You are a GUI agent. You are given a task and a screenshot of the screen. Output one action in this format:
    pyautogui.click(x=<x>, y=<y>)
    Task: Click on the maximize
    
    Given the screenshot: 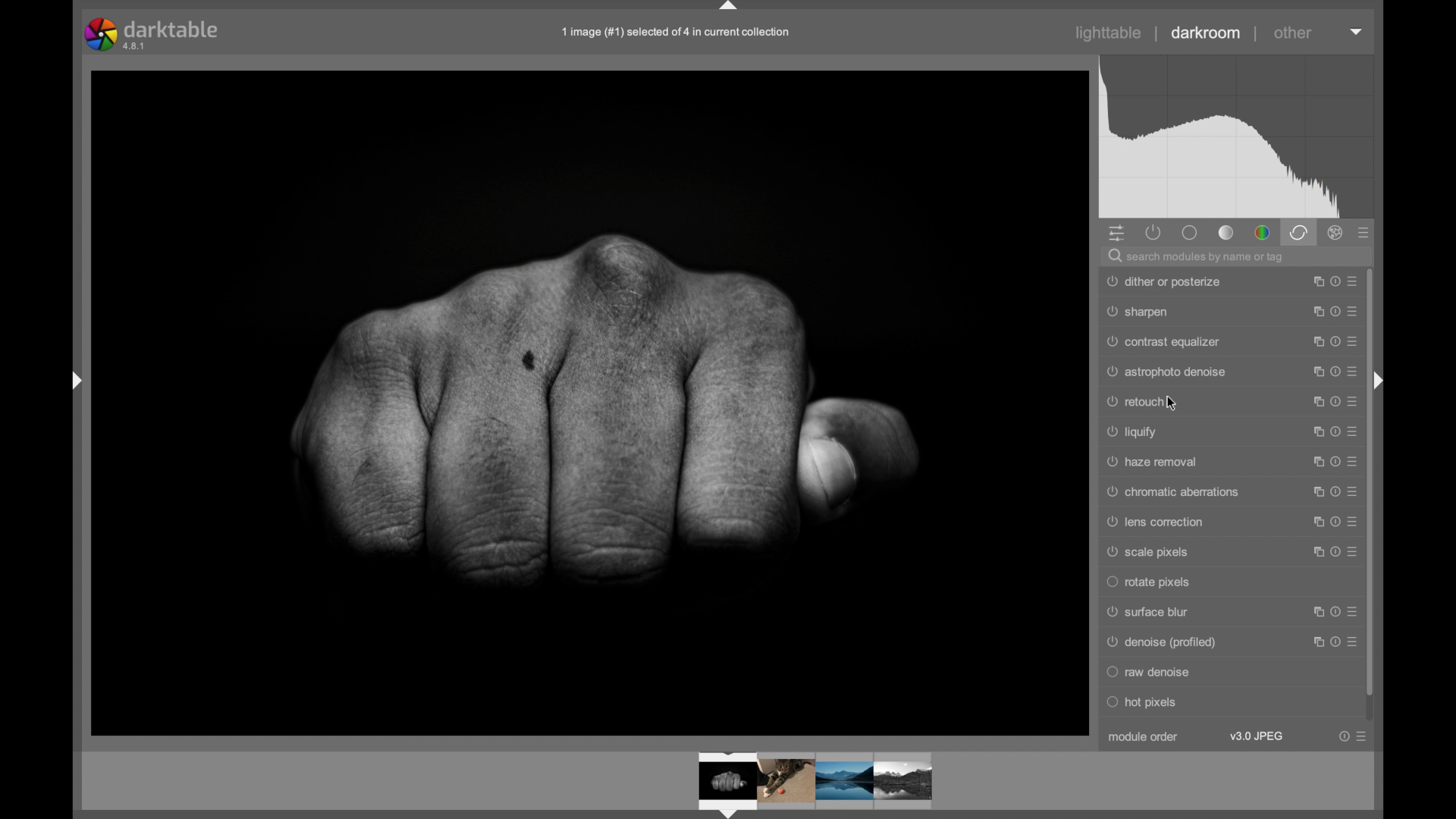 What is the action you would take?
    pyautogui.click(x=1313, y=552)
    